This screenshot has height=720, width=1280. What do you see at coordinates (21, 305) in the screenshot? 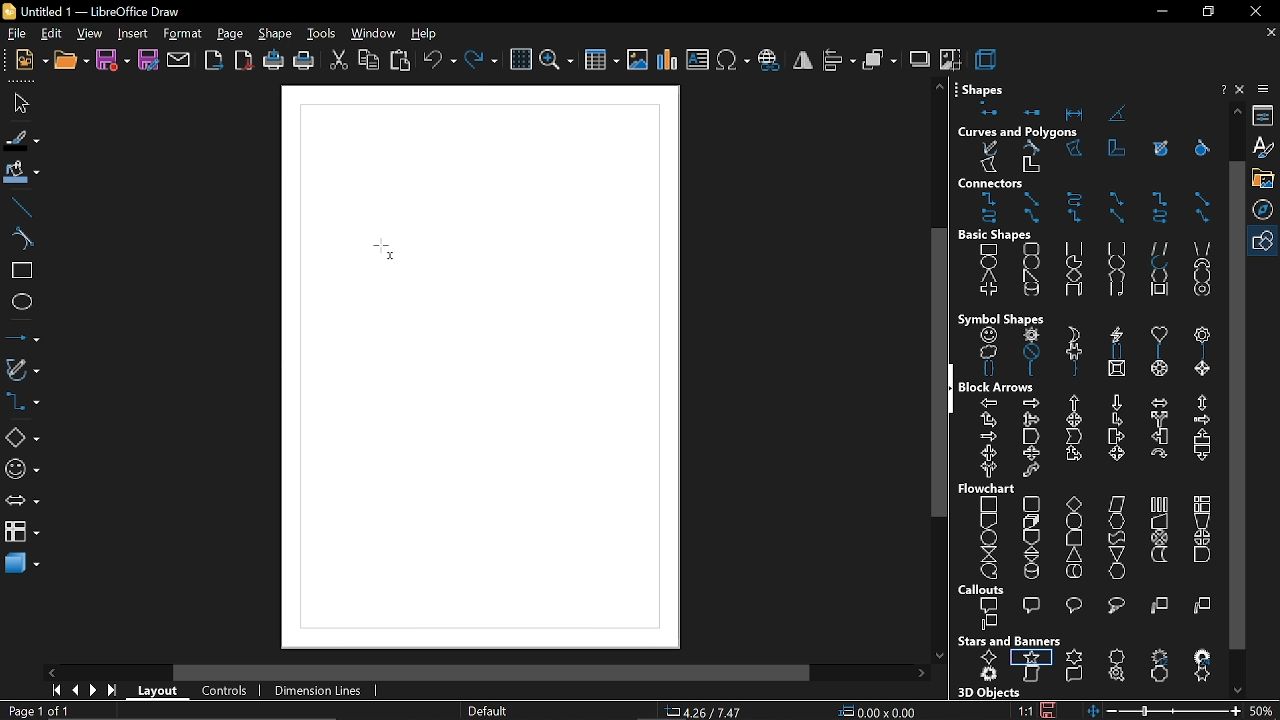
I see `ellipse` at bounding box center [21, 305].